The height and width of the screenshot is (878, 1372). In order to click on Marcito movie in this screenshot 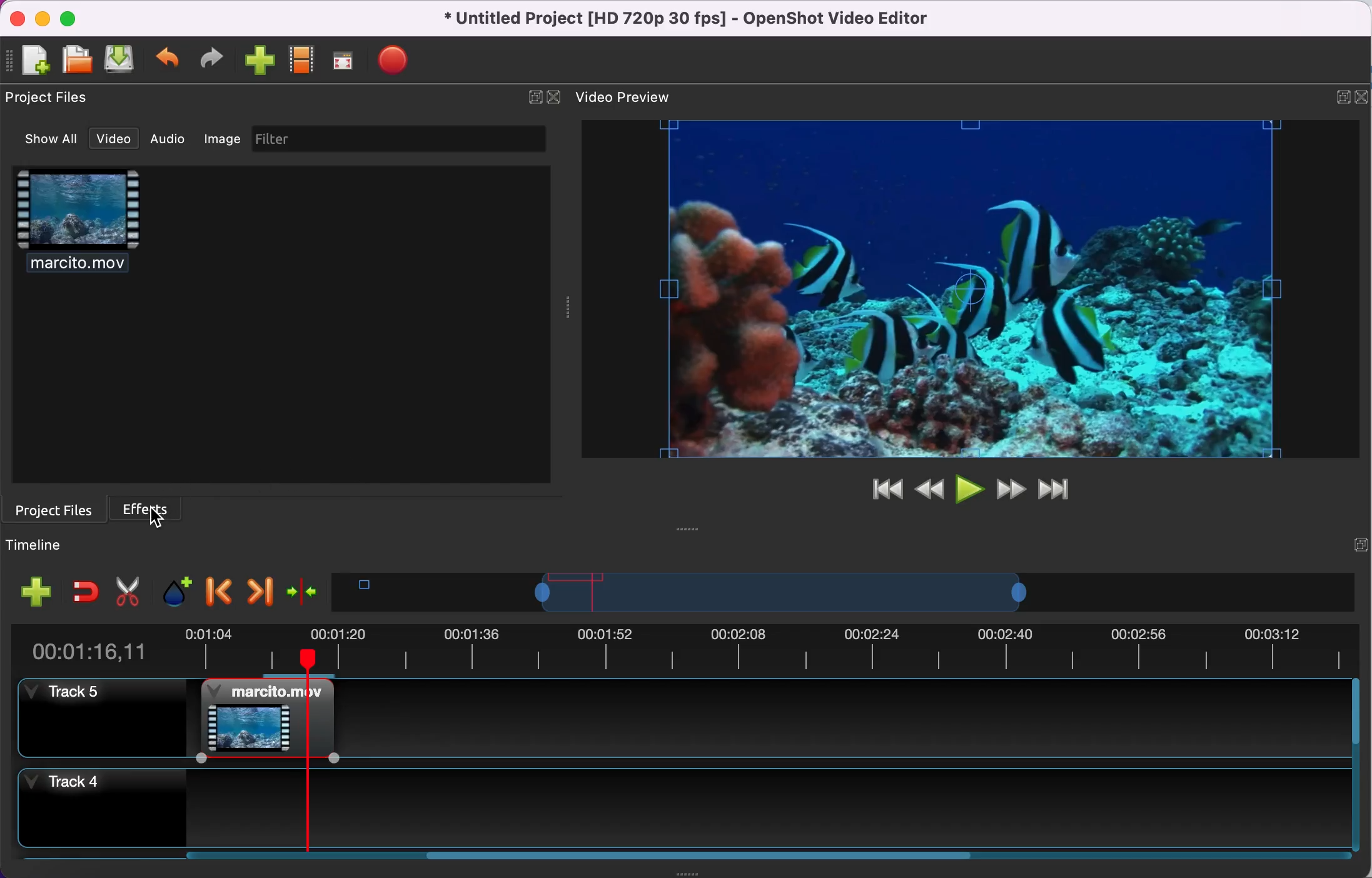, I will do `click(266, 719)`.